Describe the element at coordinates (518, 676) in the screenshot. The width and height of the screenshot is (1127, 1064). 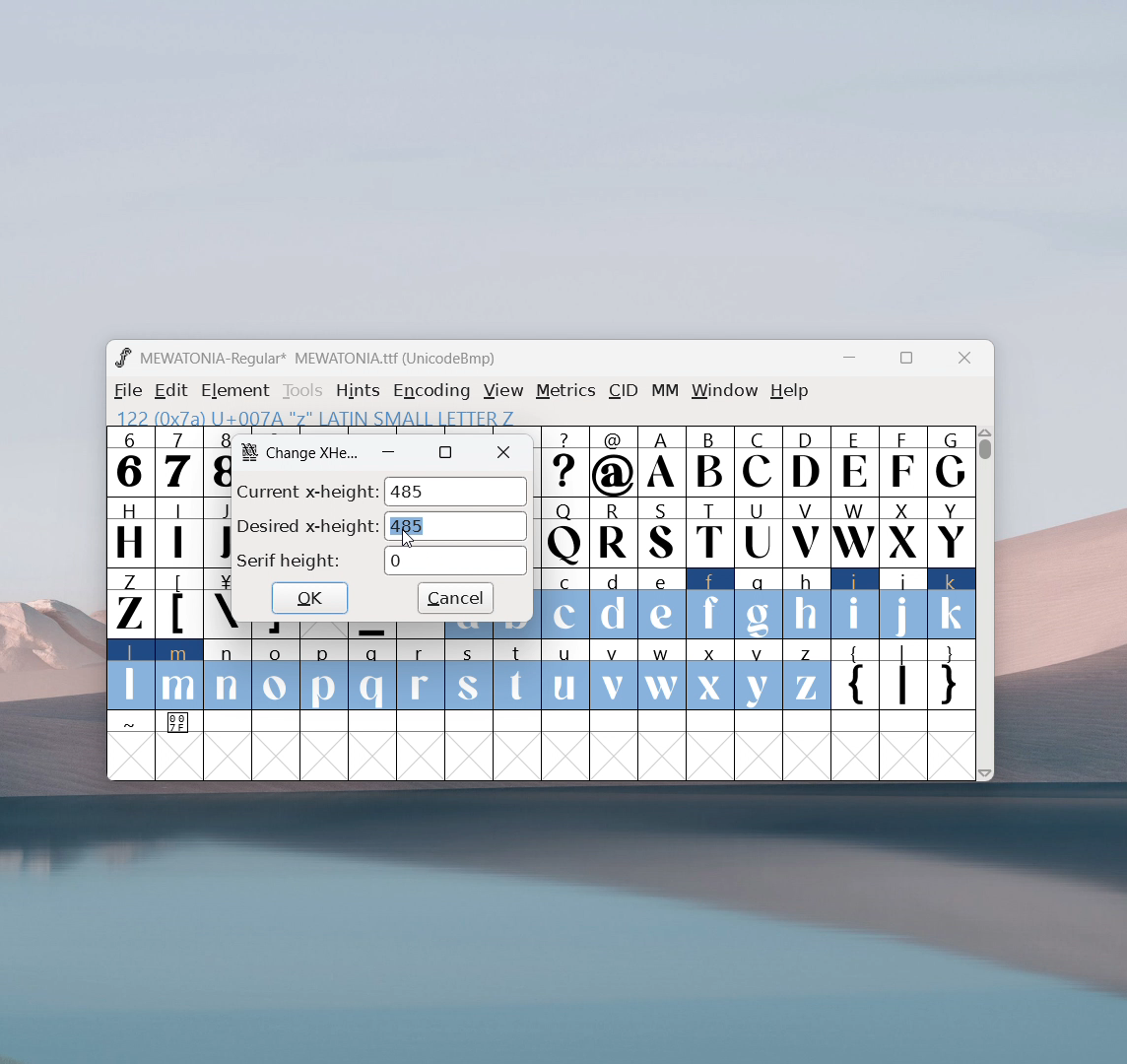
I see `t` at that location.